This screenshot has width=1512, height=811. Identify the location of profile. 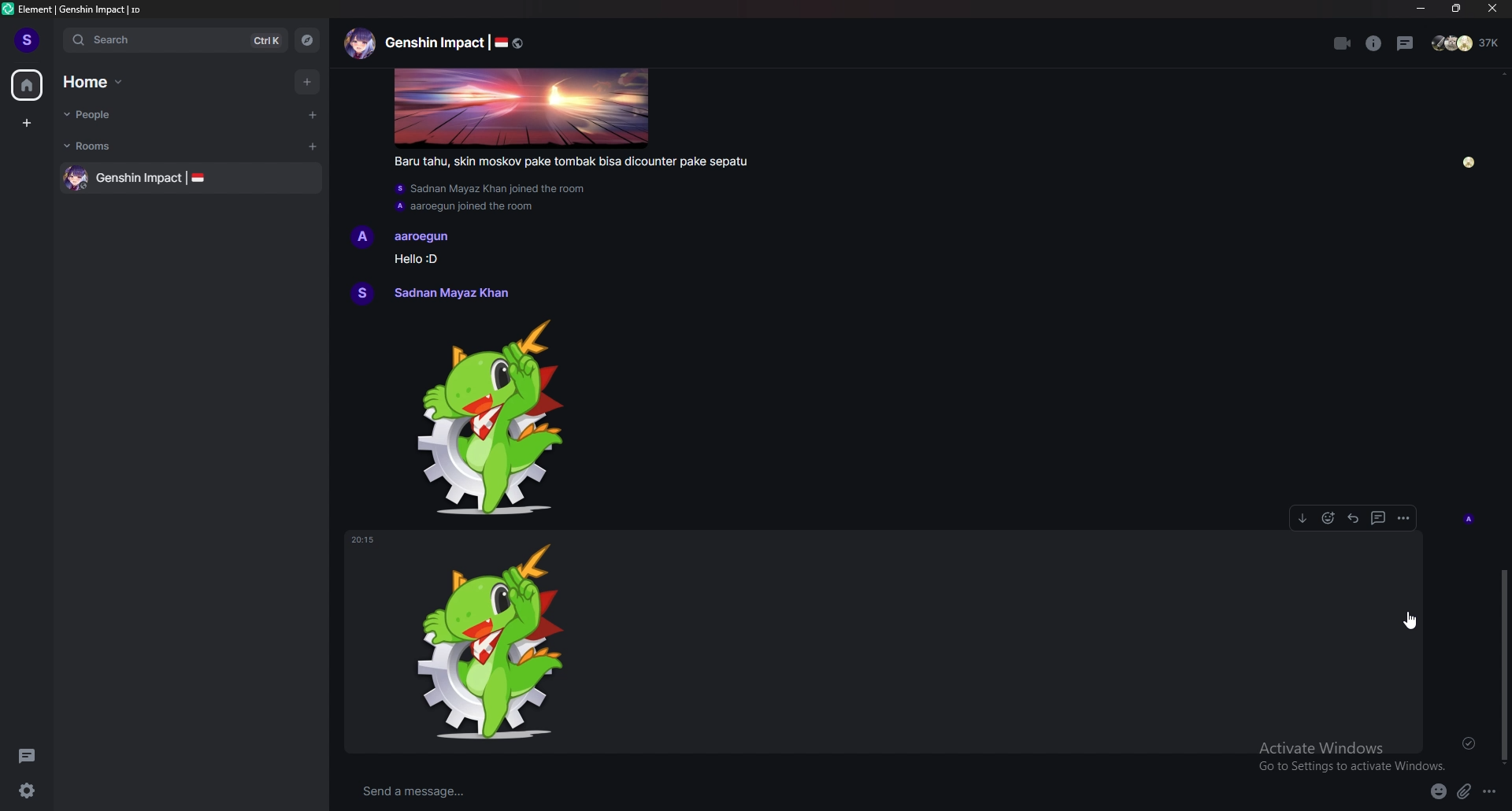
(28, 39).